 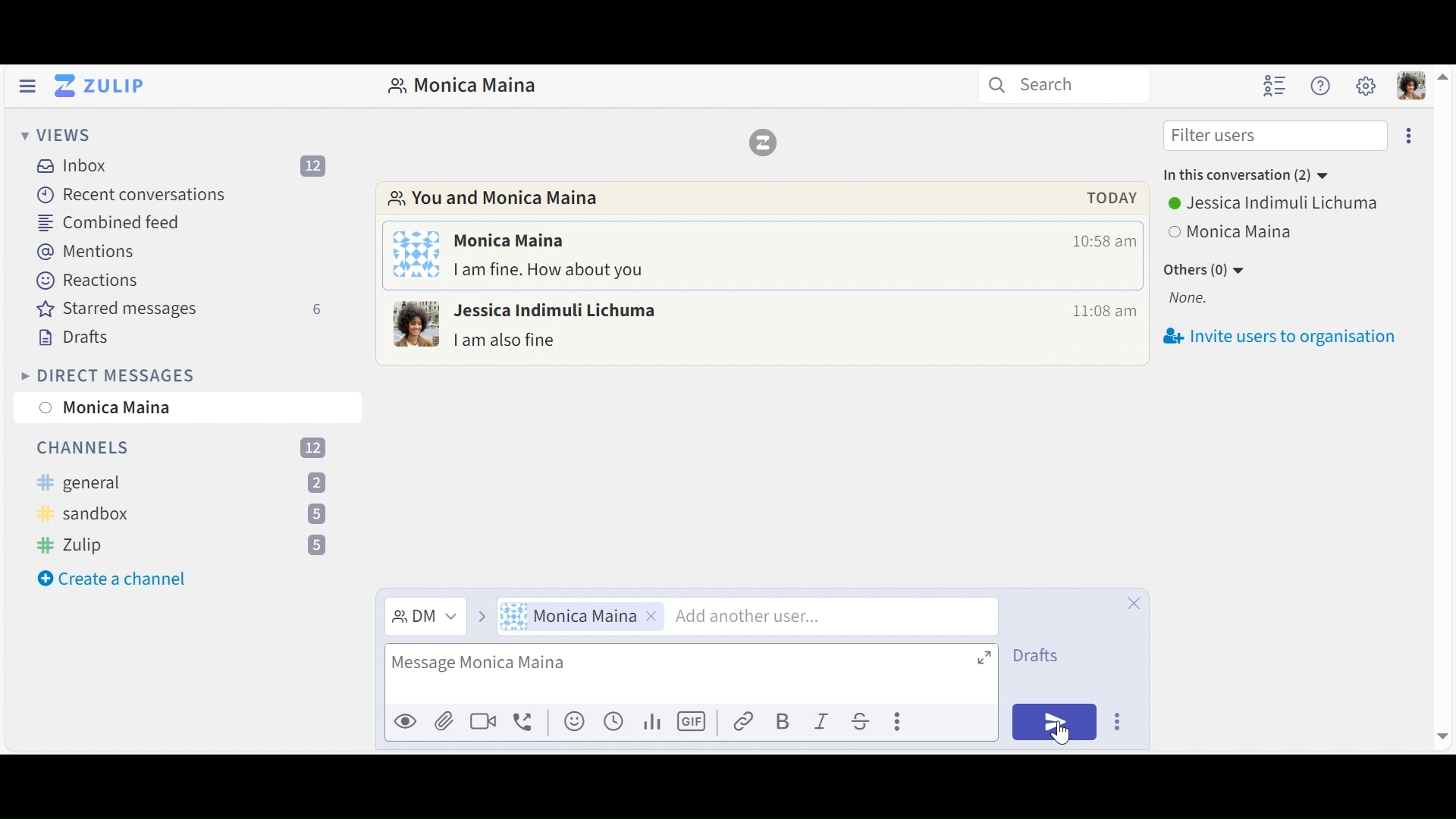 I want to click on move up, so click(x=1442, y=75).